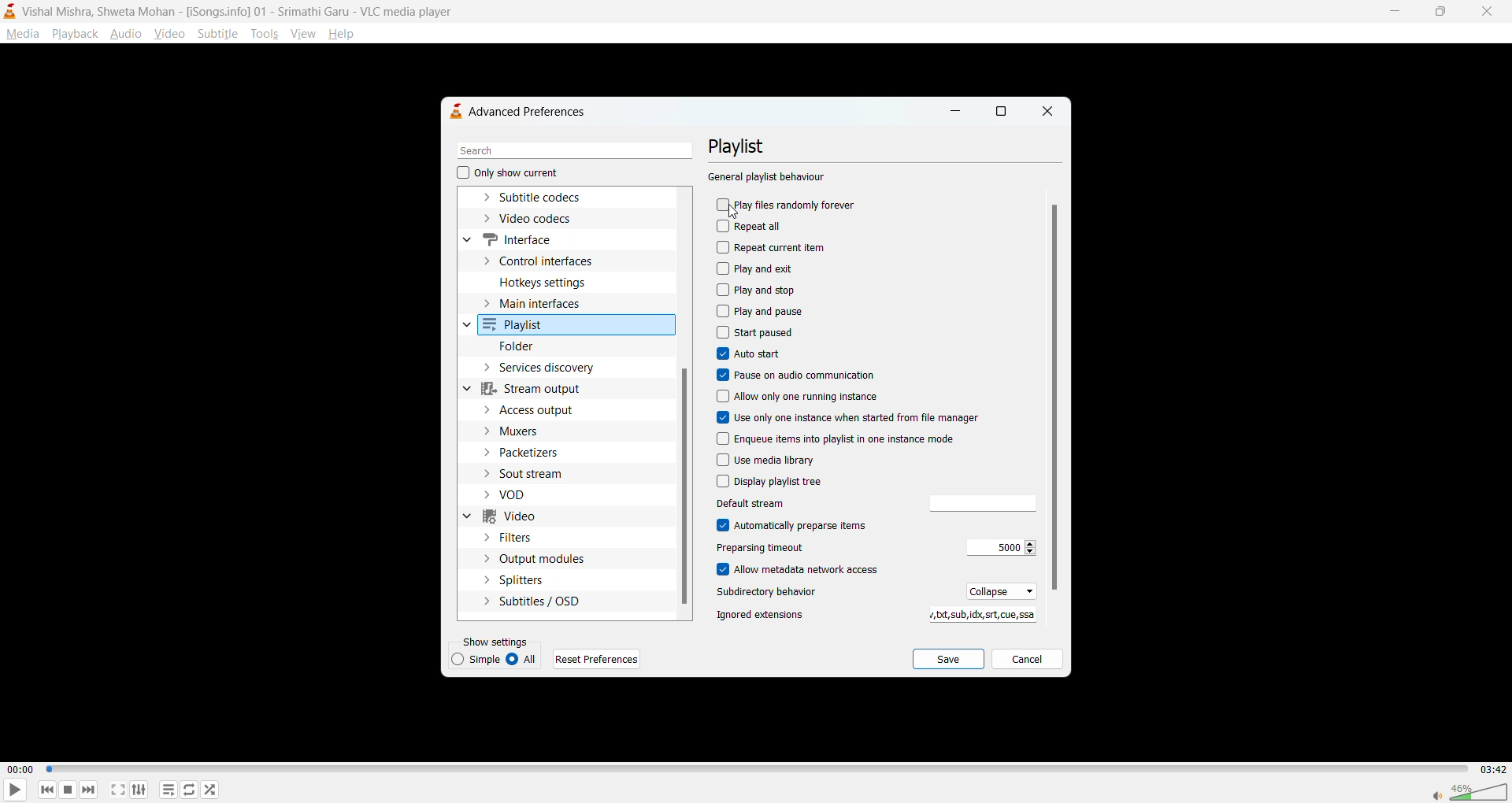 This screenshot has width=1512, height=803. What do you see at coordinates (773, 482) in the screenshot?
I see `display playlist tree` at bounding box center [773, 482].